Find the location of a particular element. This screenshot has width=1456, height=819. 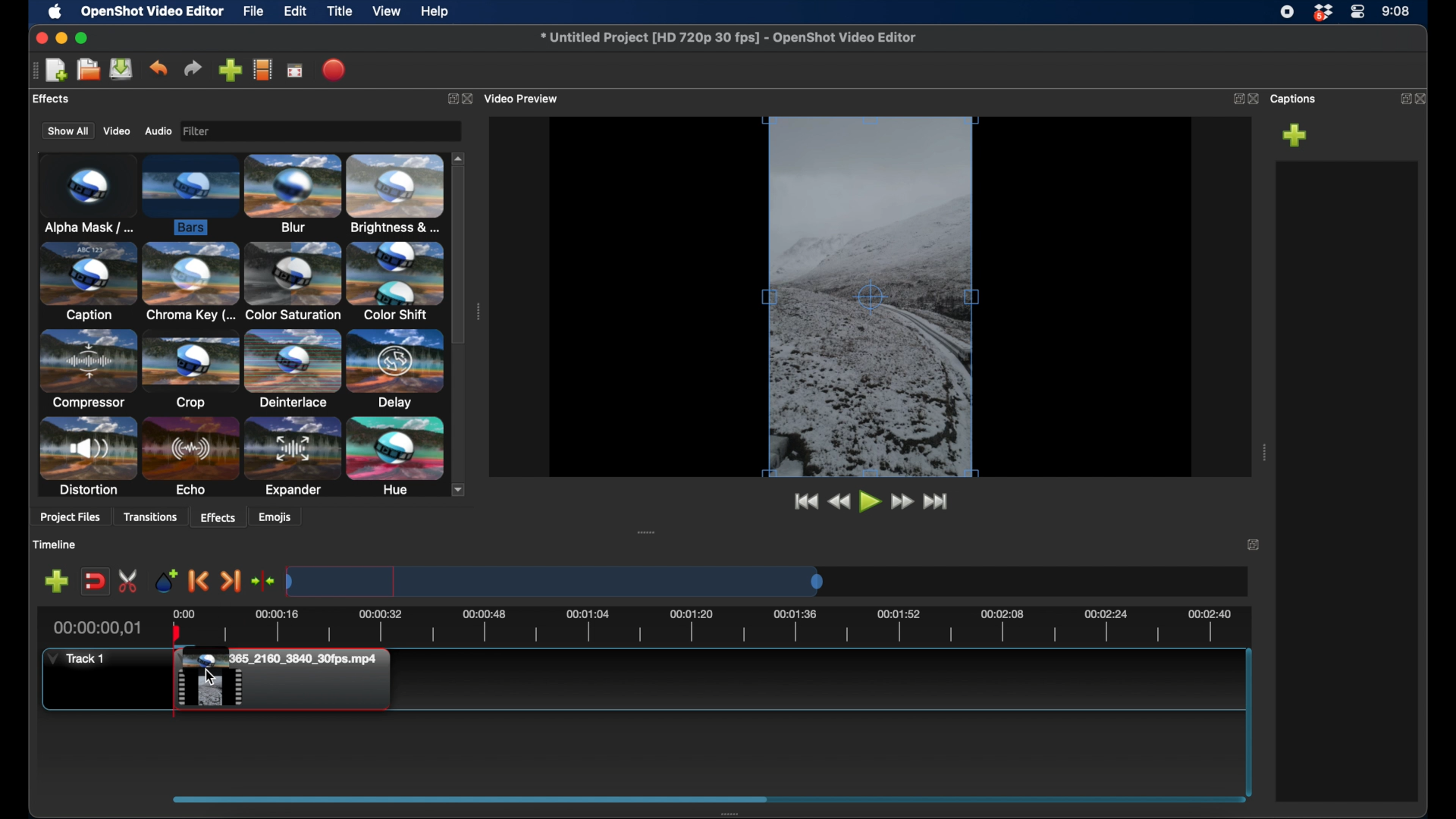

captions is located at coordinates (1295, 99).